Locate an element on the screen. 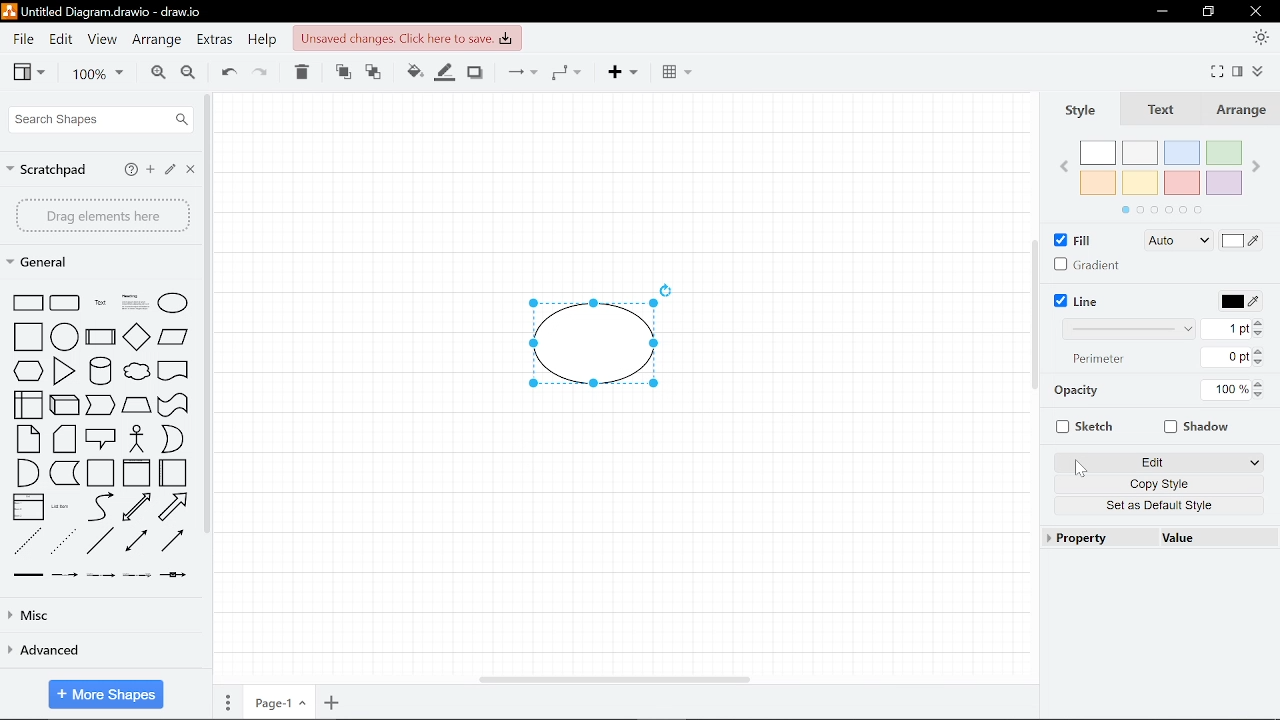 Image resolution: width=1280 pixels, height=720 pixels. Pages is located at coordinates (226, 703).